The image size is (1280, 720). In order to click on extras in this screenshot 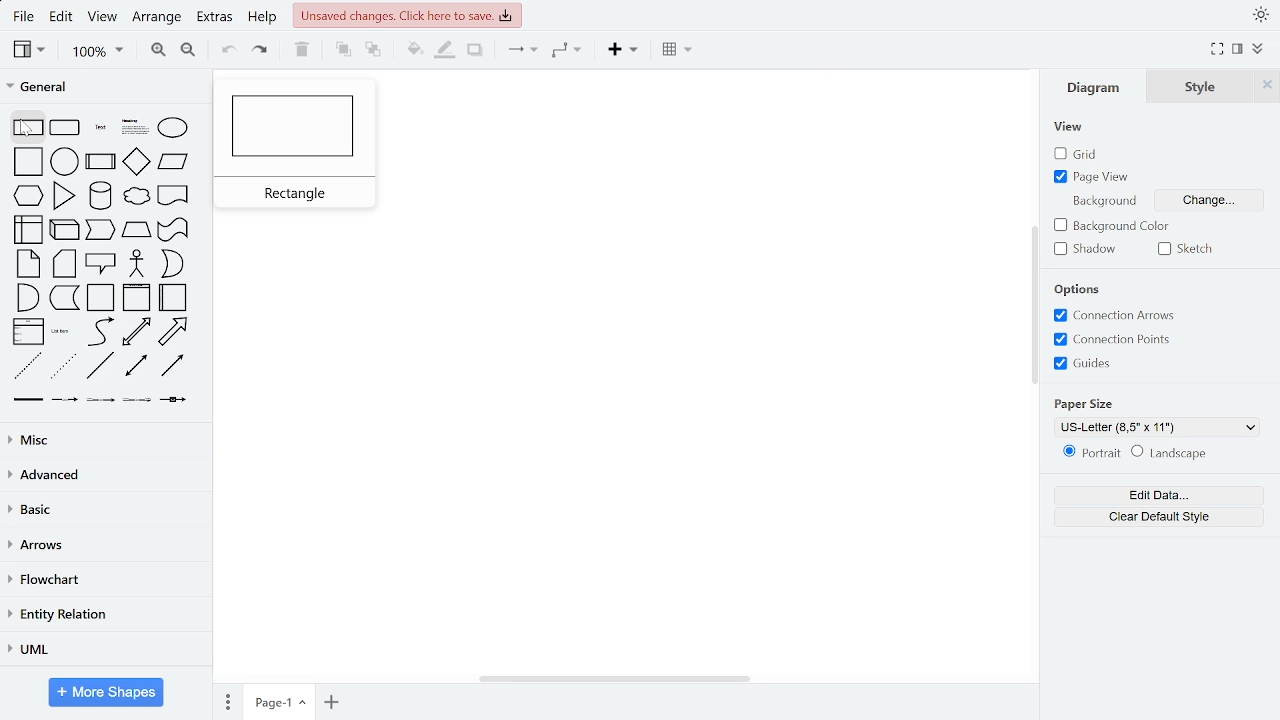, I will do `click(216, 19)`.